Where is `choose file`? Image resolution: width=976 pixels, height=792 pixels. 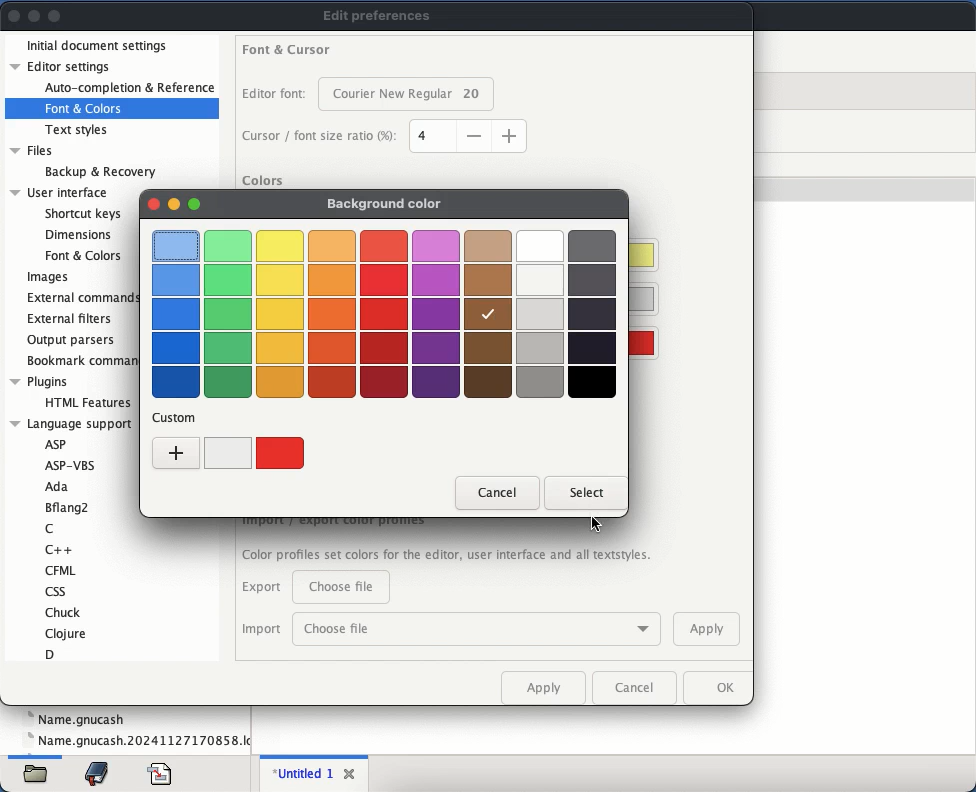 choose file is located at coordinates (477, 628).